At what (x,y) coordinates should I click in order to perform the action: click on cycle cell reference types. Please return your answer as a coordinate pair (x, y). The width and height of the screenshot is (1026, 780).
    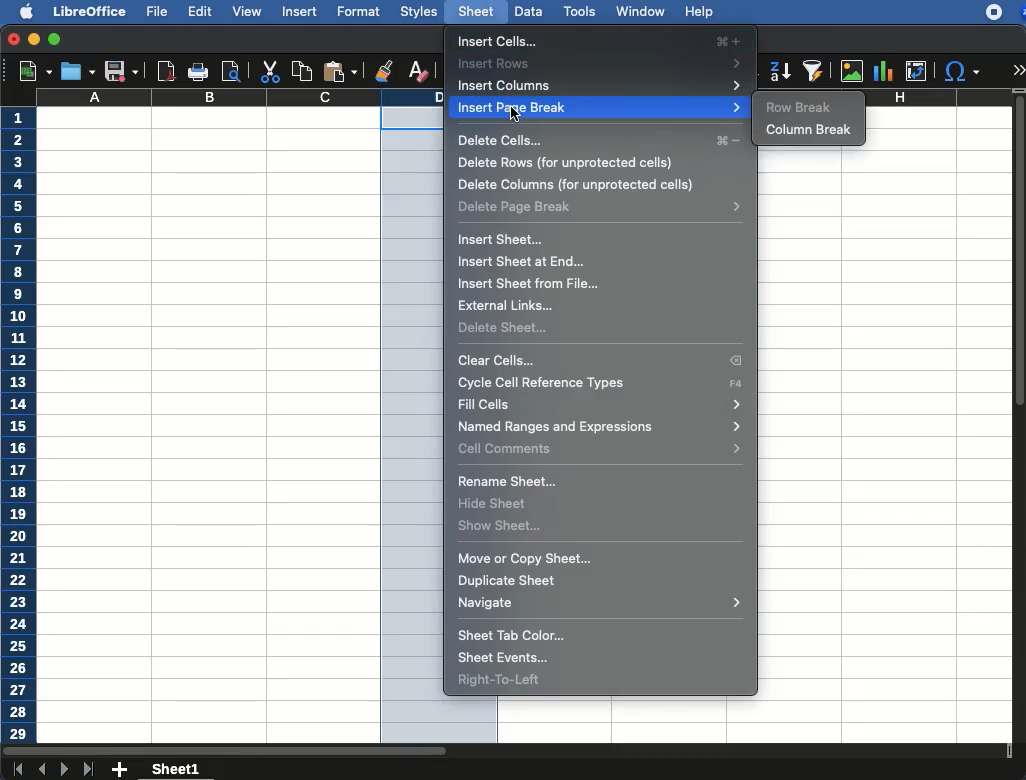
    Looking at the image, I should click on (605, 383).